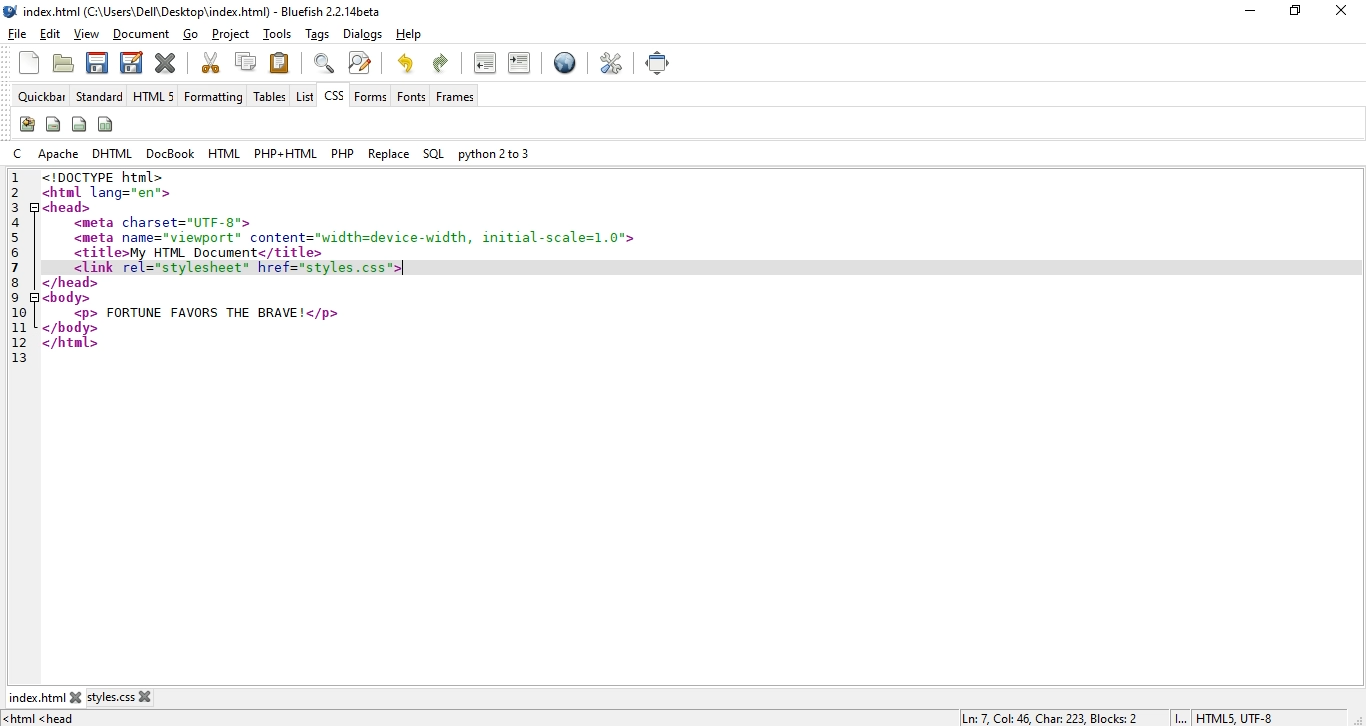  Describe the element at coordinates (18, 192) in the screenshot. I see `2` at that location.